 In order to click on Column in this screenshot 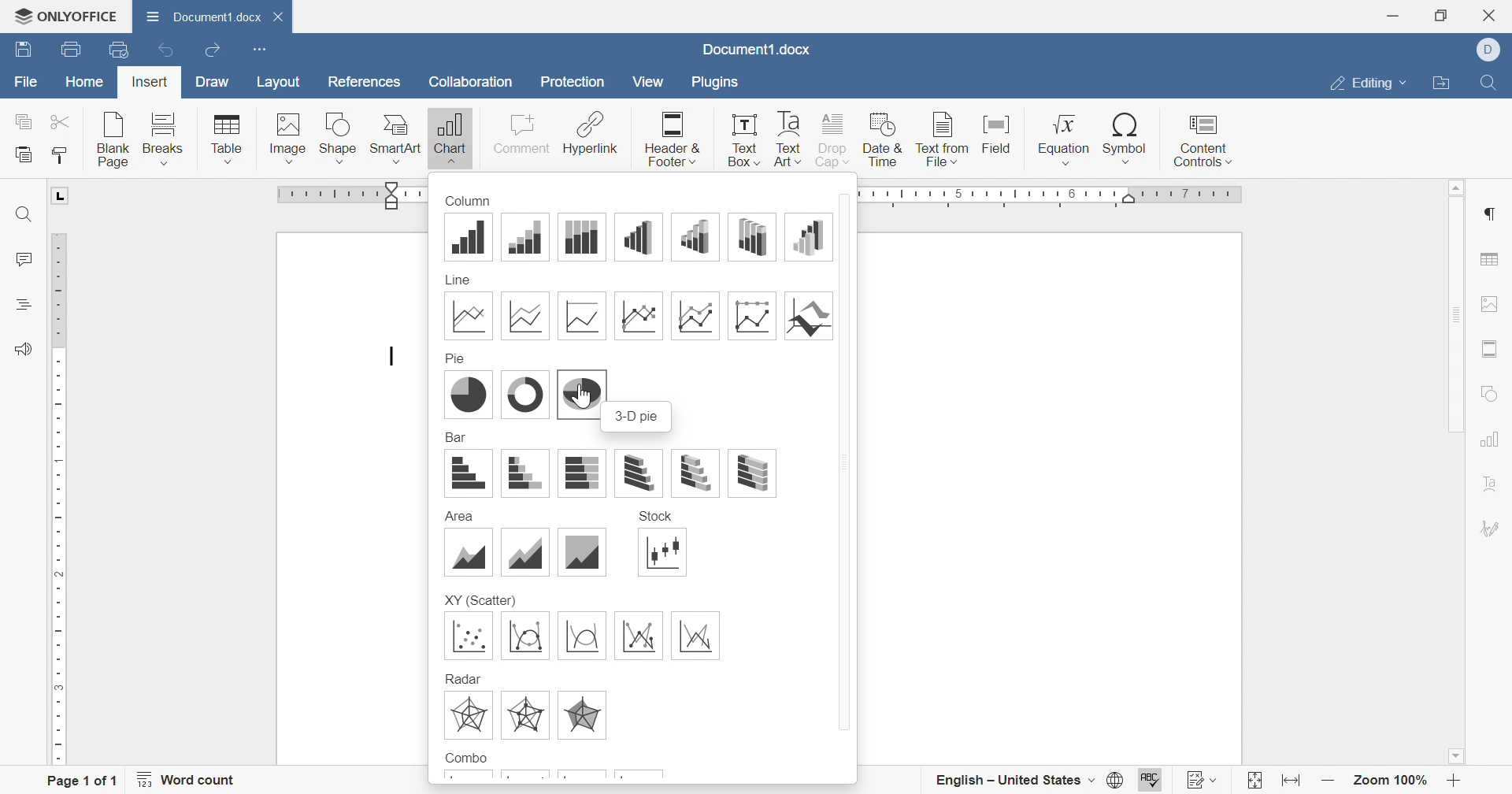, I will do `click(468, 199)`.